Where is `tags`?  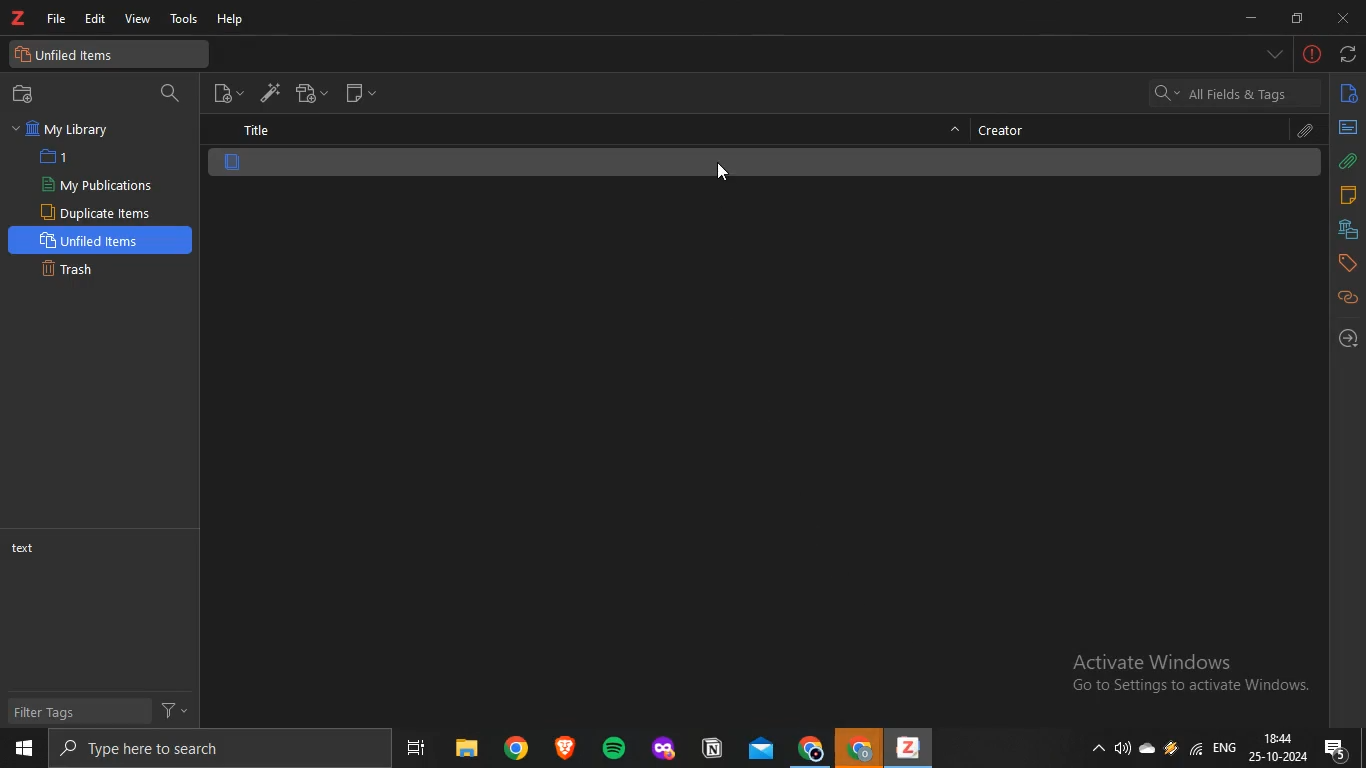
tags is located at coordinates (1347, 264).